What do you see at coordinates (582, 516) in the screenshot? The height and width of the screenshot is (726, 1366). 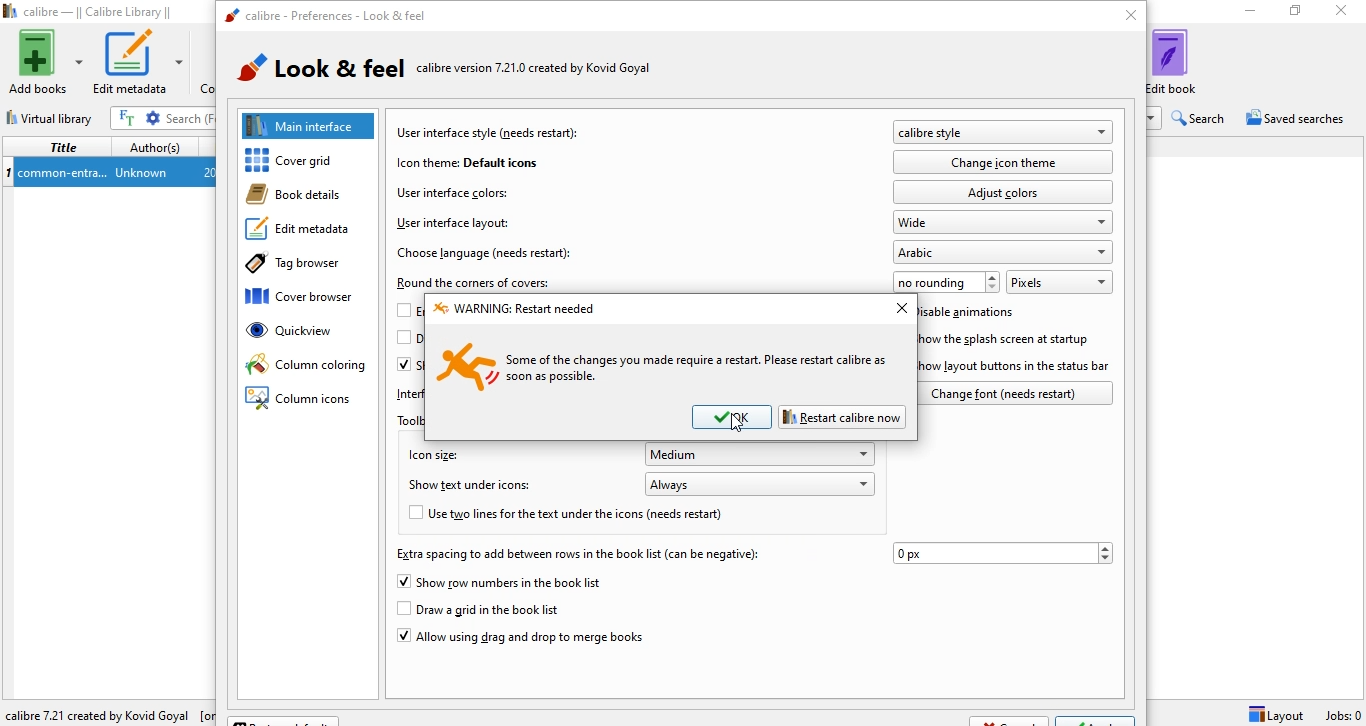 I see `use two lines for the text under the icons (needs restart))` at bounding box center [582, 516].